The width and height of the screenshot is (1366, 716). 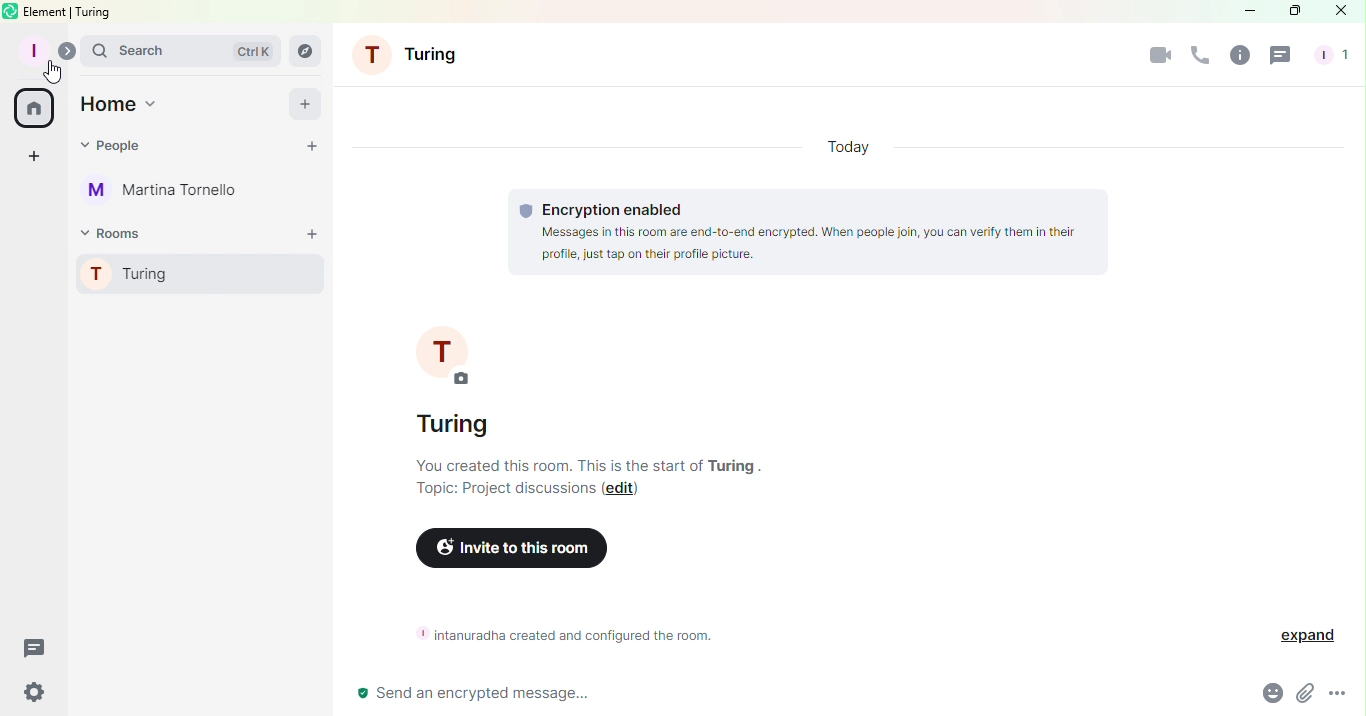 I want to click on People, so click(x=115, y=146).